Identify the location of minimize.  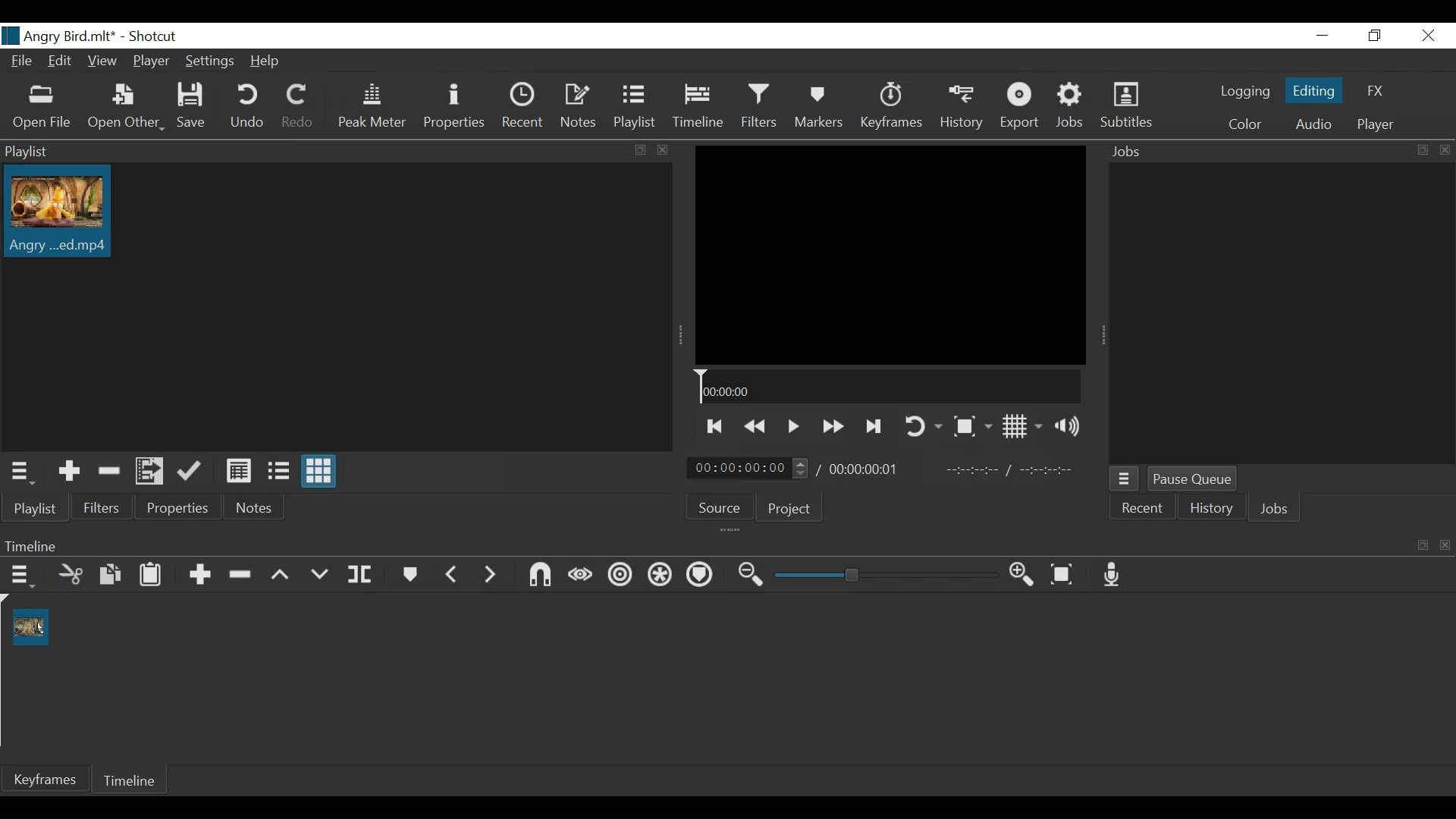
(1323, 35).